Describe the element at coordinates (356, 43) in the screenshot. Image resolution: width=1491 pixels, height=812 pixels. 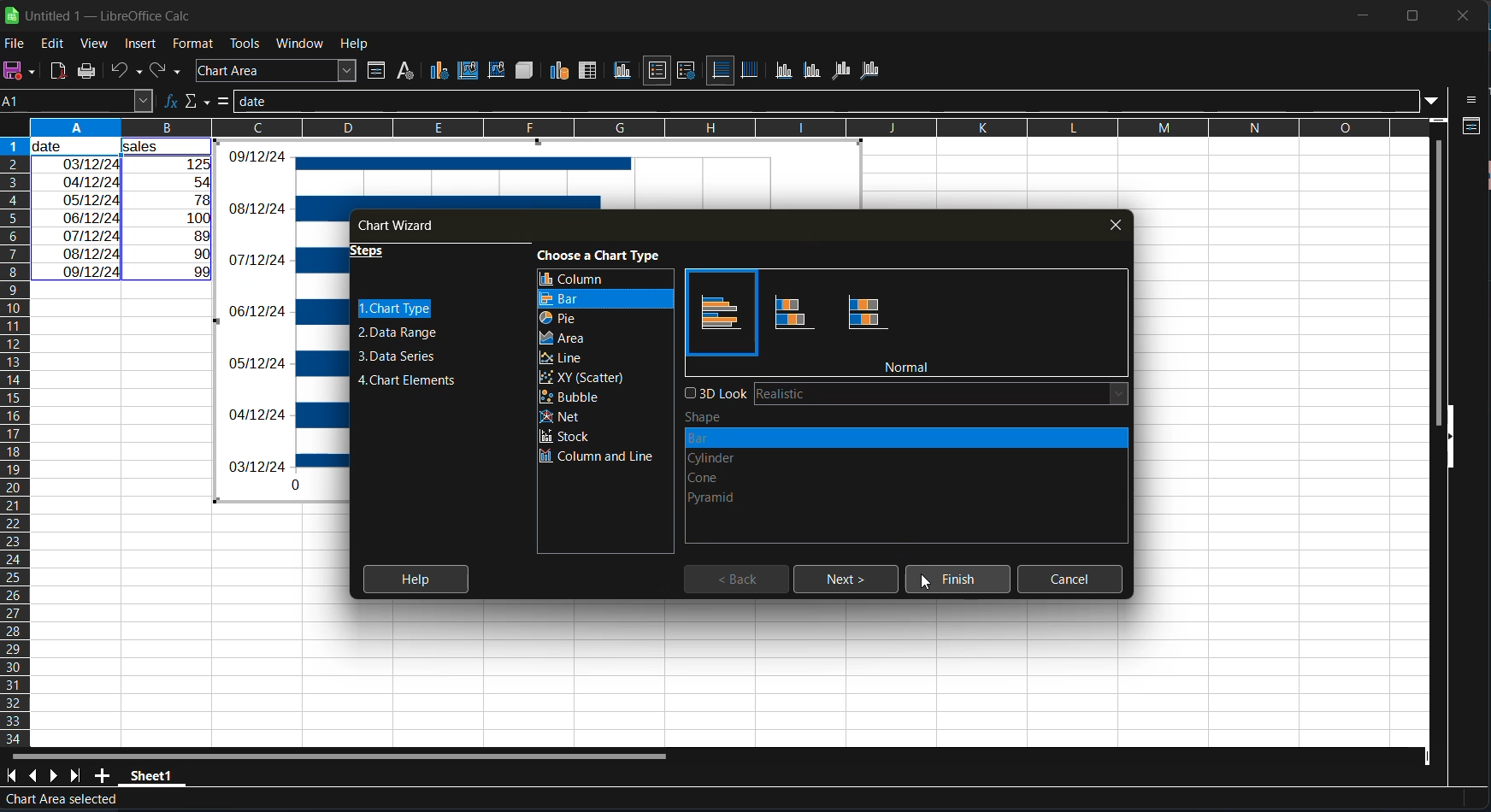
I see `help` at that location.